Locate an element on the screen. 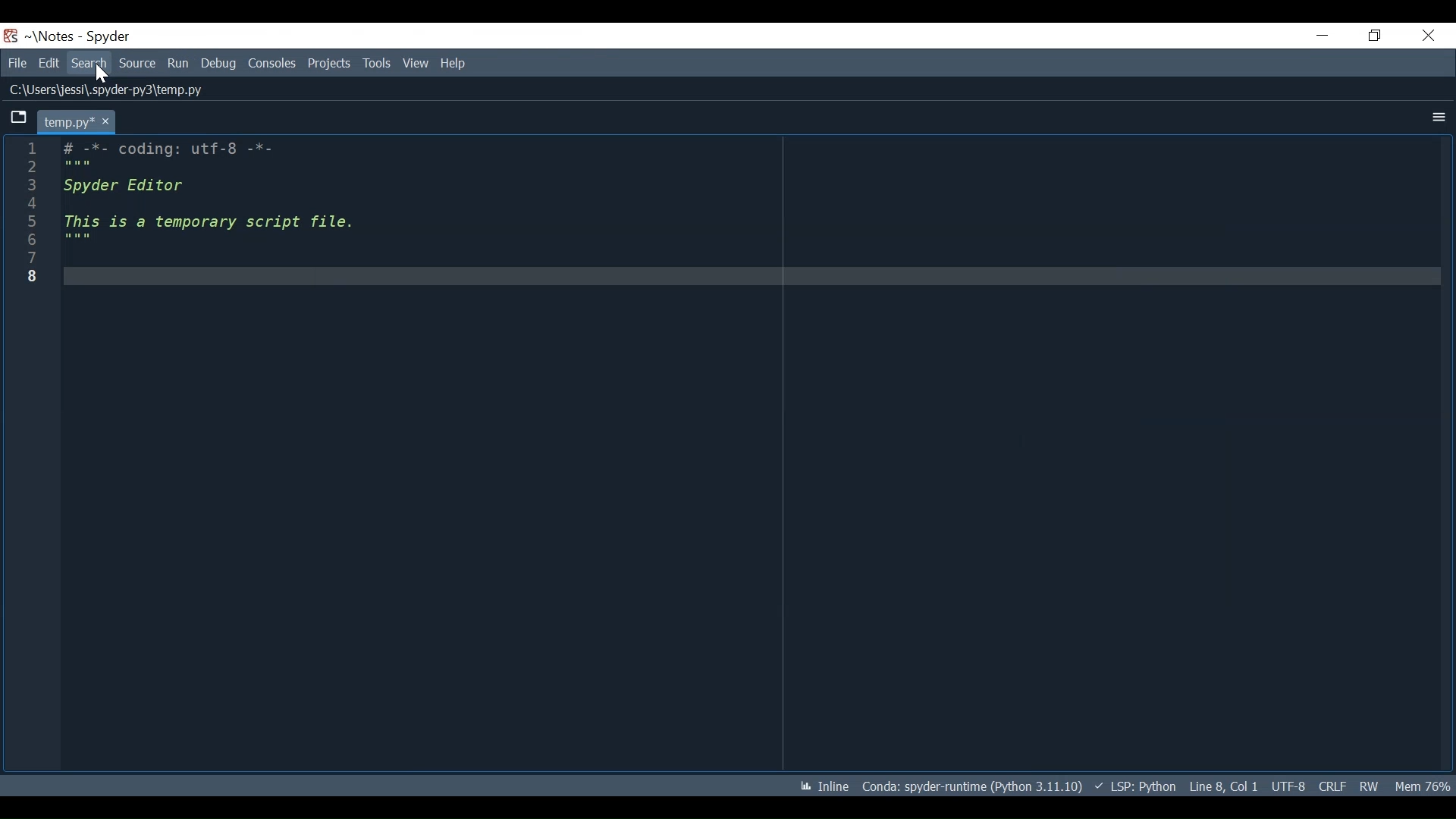 The image size is (1456, 819). Spyder is located at coordinates (102, 37).